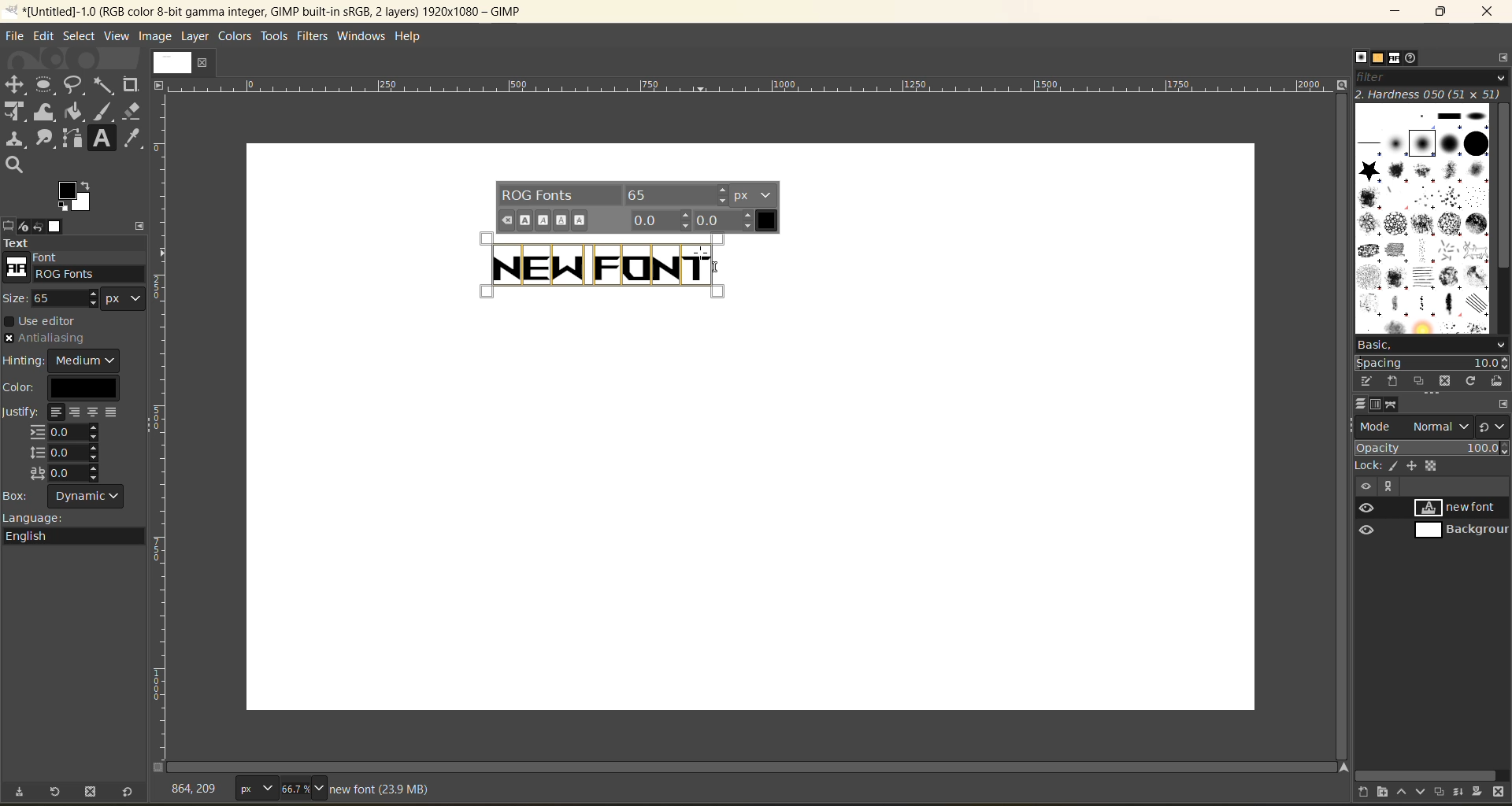 This screenshot has width=1512, height=806. I want to click on font, so click(76, 267).